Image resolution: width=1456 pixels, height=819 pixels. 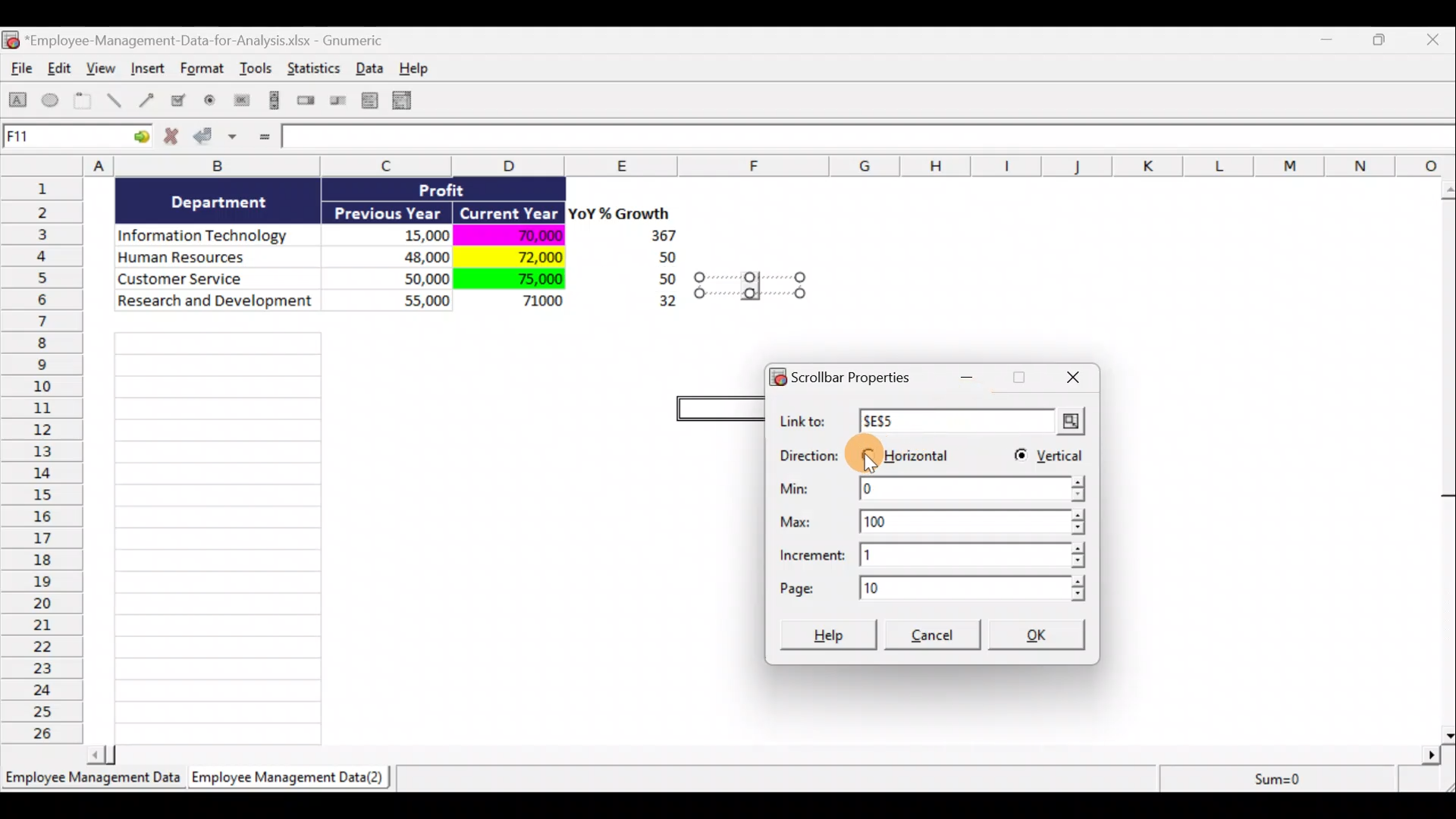 I want to click on Create a combo box, so click(x=409, y=101).